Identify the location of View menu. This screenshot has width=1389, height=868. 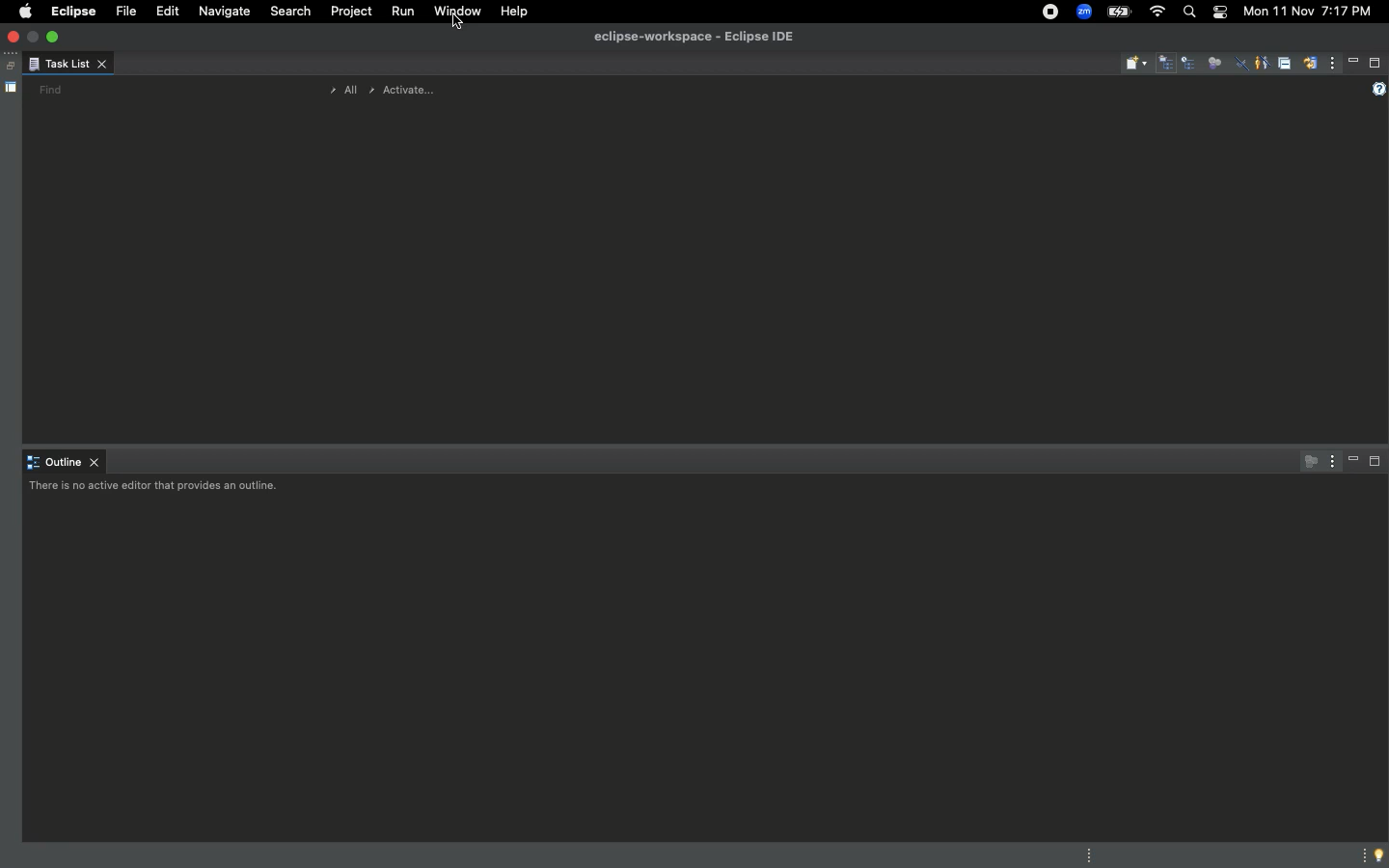
(1329, 460).